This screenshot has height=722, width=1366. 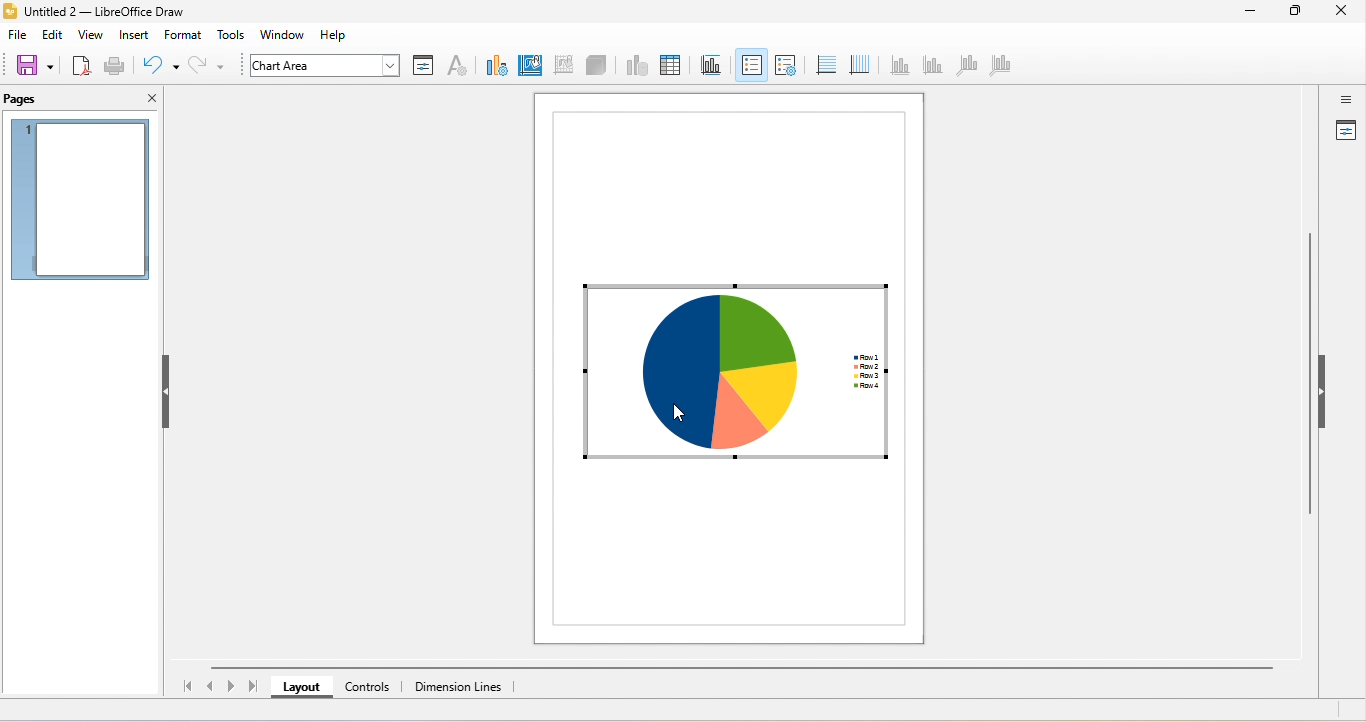 I want to click on vertical grid, so click(x=858, y=63).